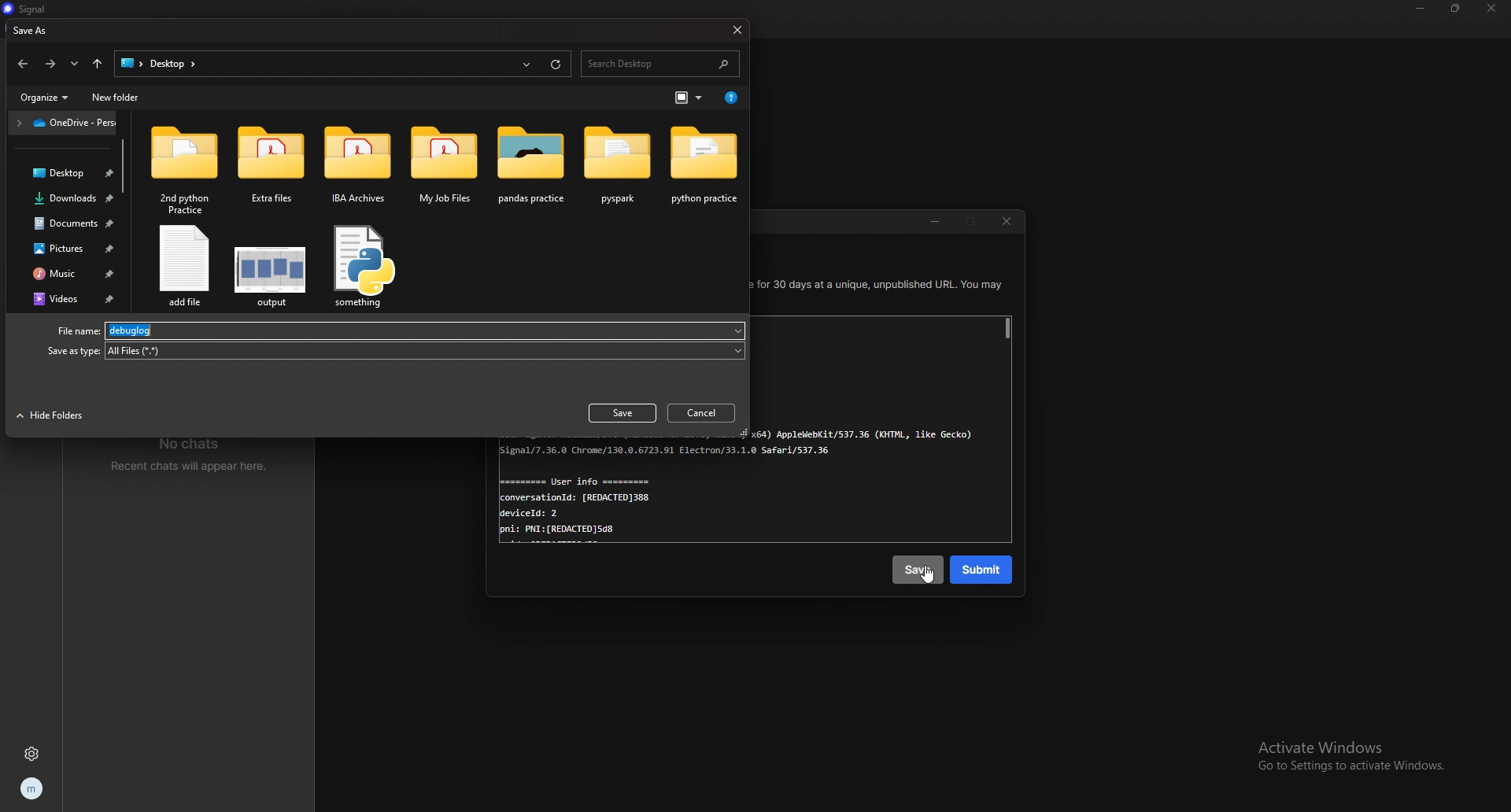 This screenshot has height=812, width=1511. Describe the element at coordinates (732, 98) in the screenshot. I see `help` at that location.